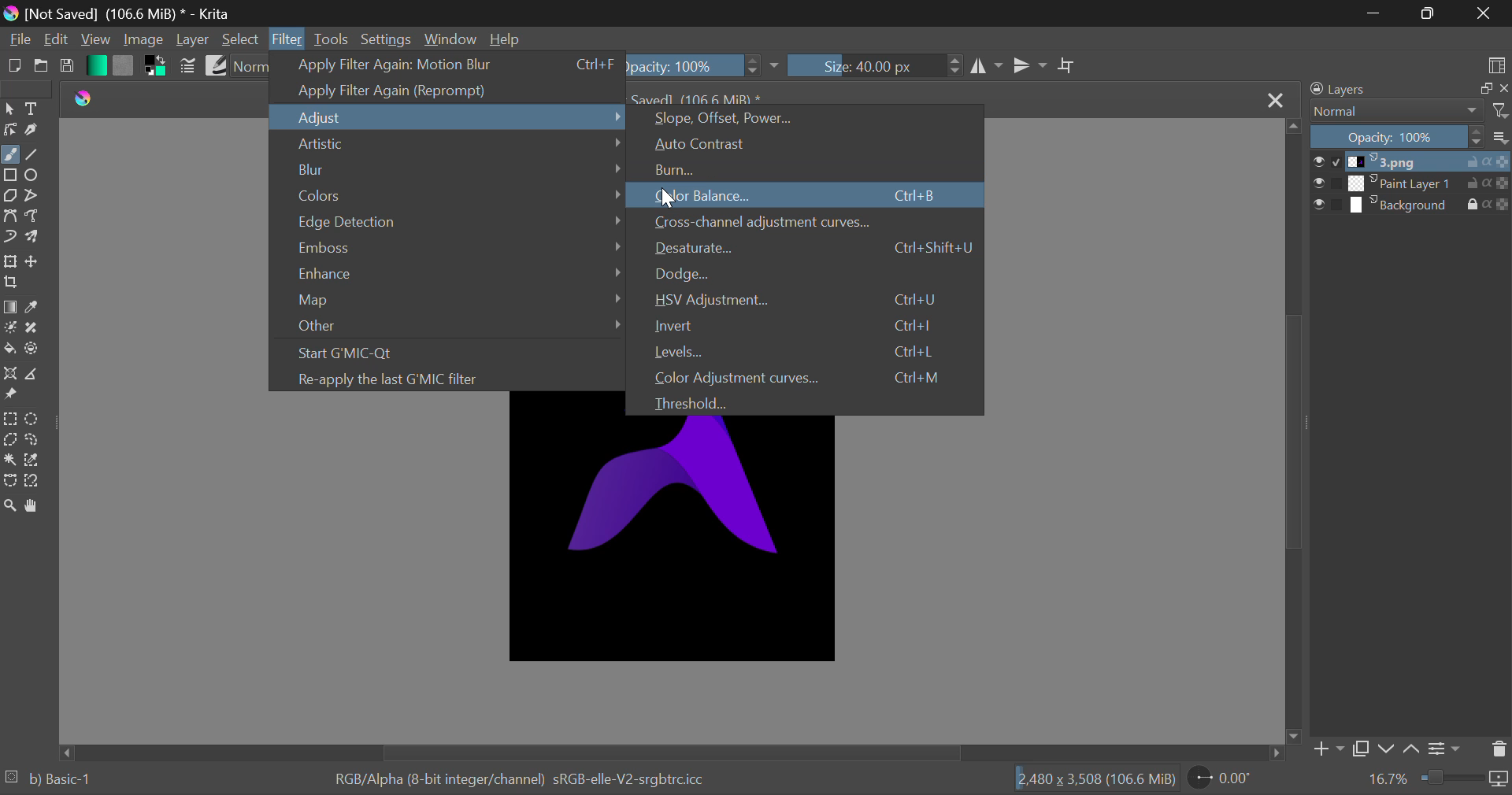  What do you see at coordinates (38, 505) in the screenshot?
I see `Pan` at bounding box center [38, 505].